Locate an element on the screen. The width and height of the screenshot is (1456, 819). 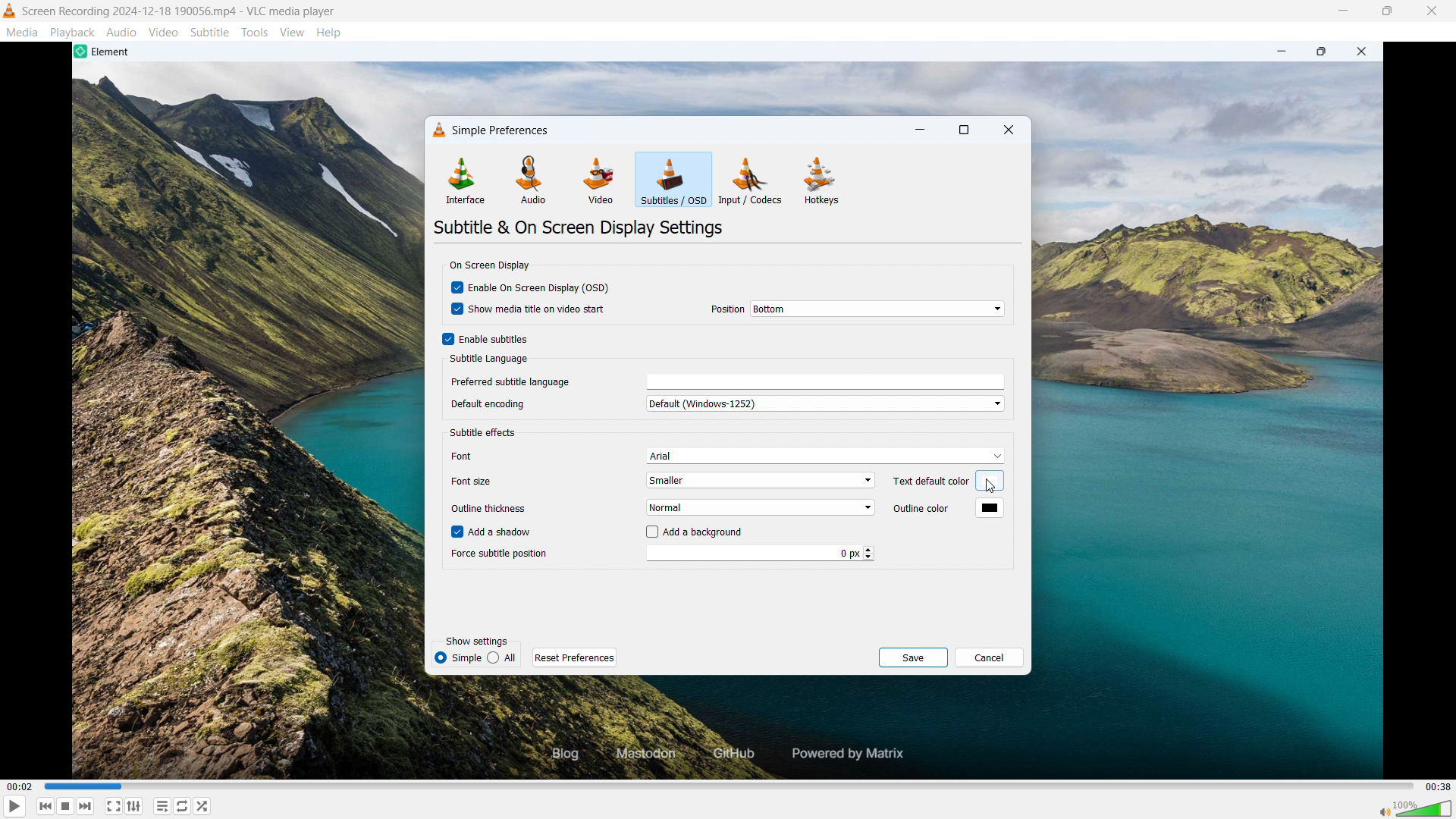
minimise dialogue box  is located at coordinates (921, 130).